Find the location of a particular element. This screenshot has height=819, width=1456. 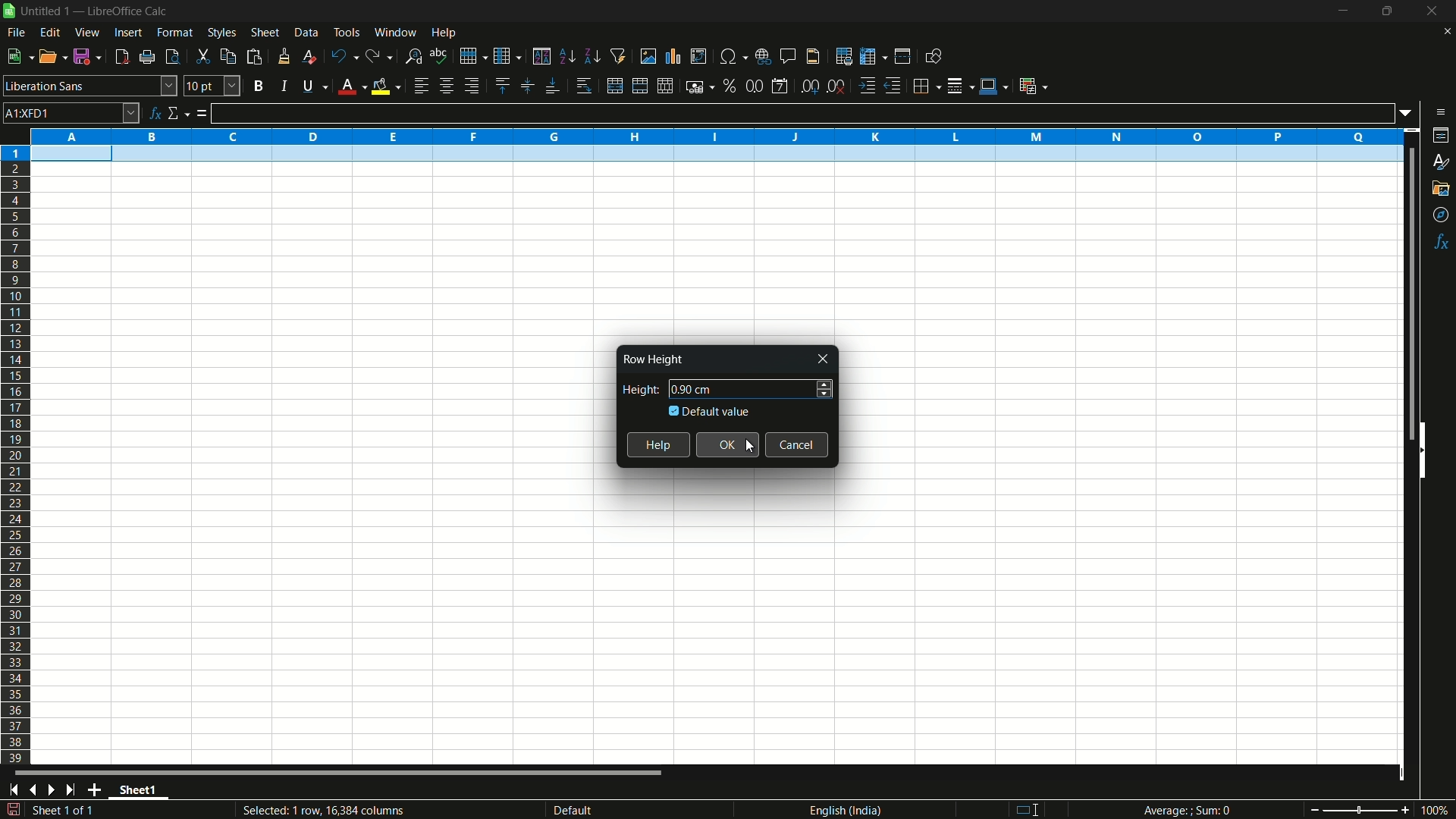

styles menu is located at coordinates (222, 33).